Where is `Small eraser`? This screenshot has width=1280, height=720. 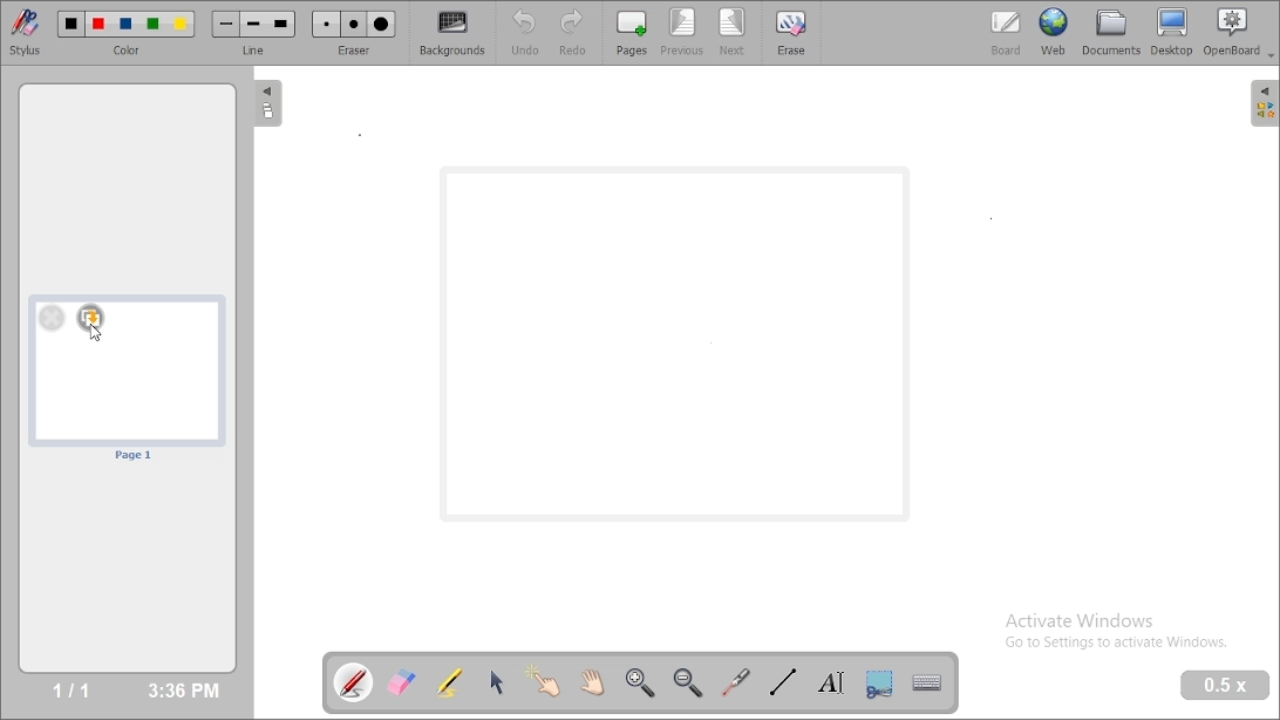
Small eraser is located at coordinates (326, 25).